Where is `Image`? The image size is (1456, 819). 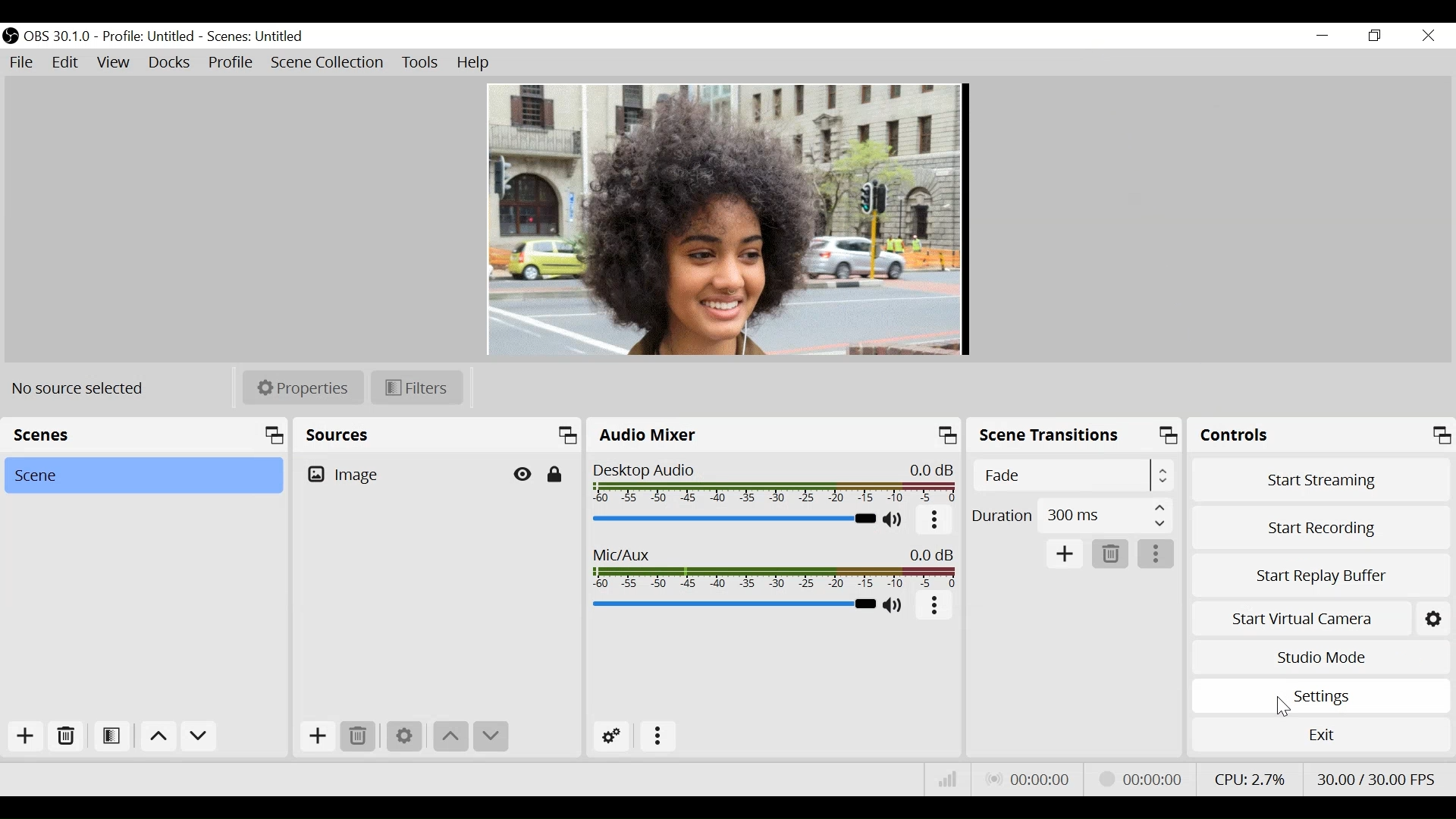
Image is located at coordinates (348, 475).